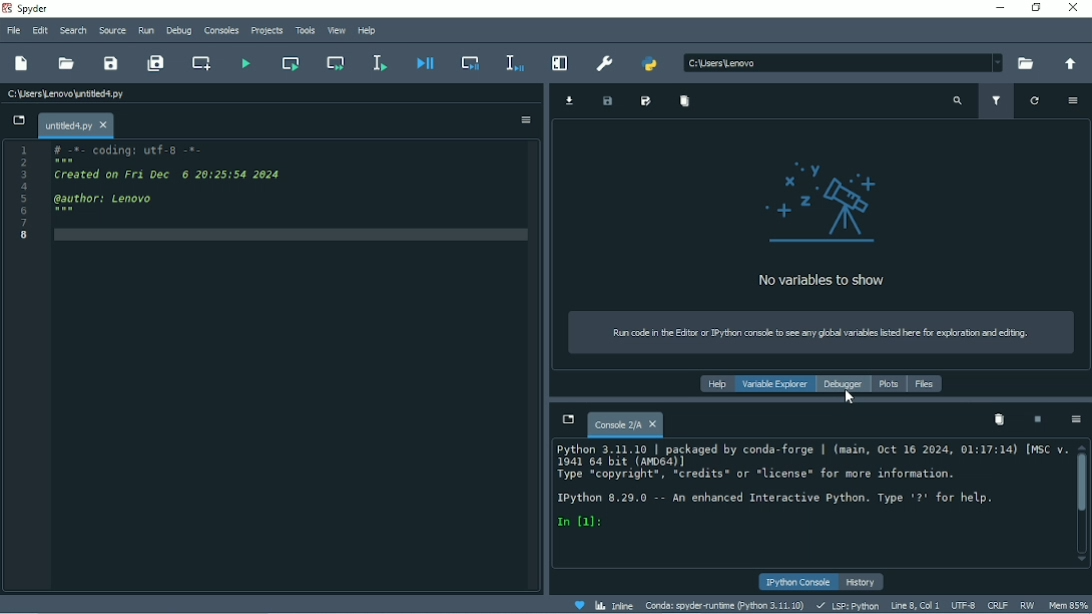 This screenshot has height=614, width=1092. Describe the element at coordinates (157, 196) in the screenshot. I see `1 #-c- coding: wef-p -=-

5 Crested on ri vec © 20125150 2626

S awthor: Lenovo

Cg
LE` at that location.